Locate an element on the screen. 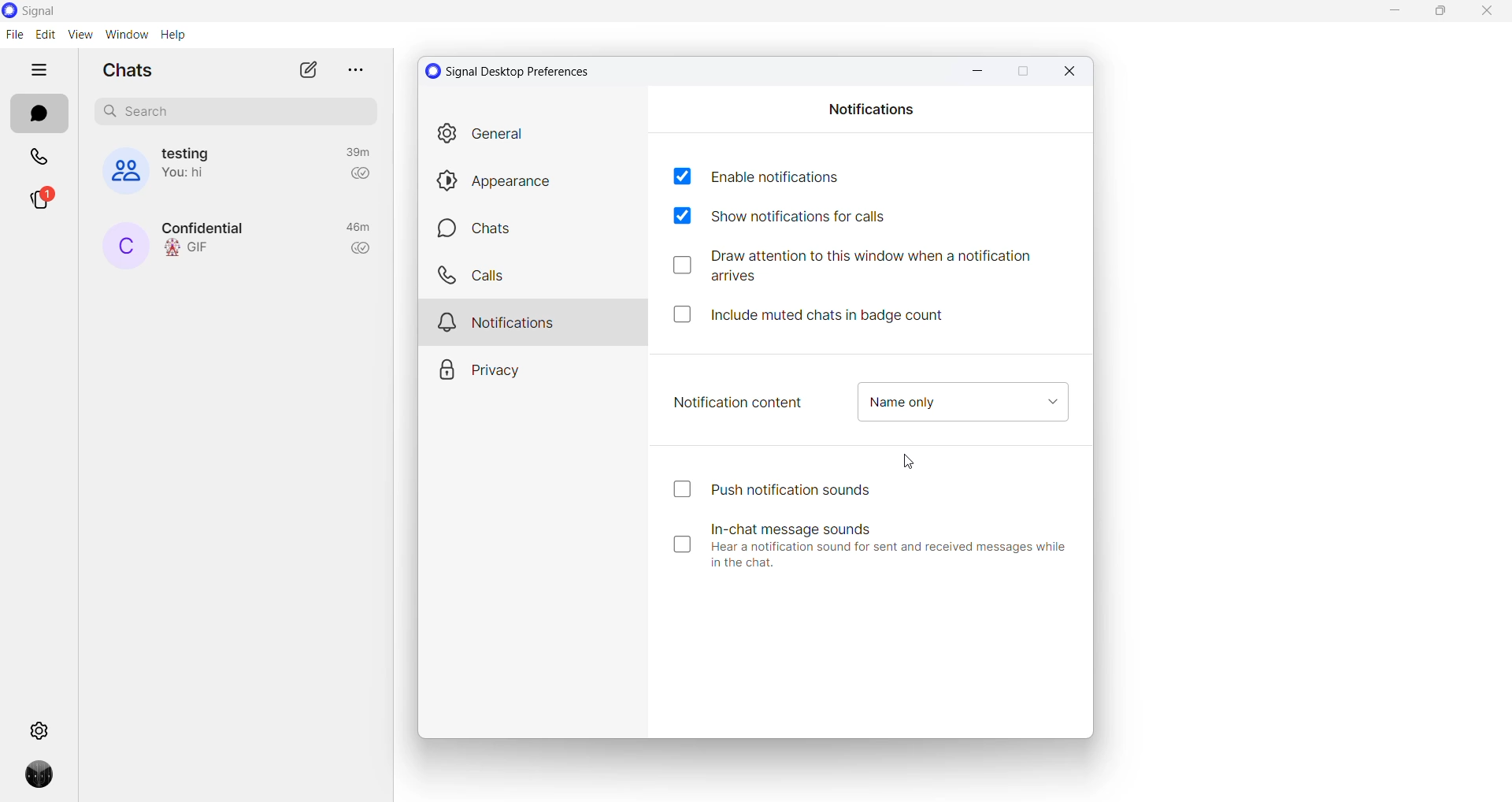  window is located at coordinates (125, 35).